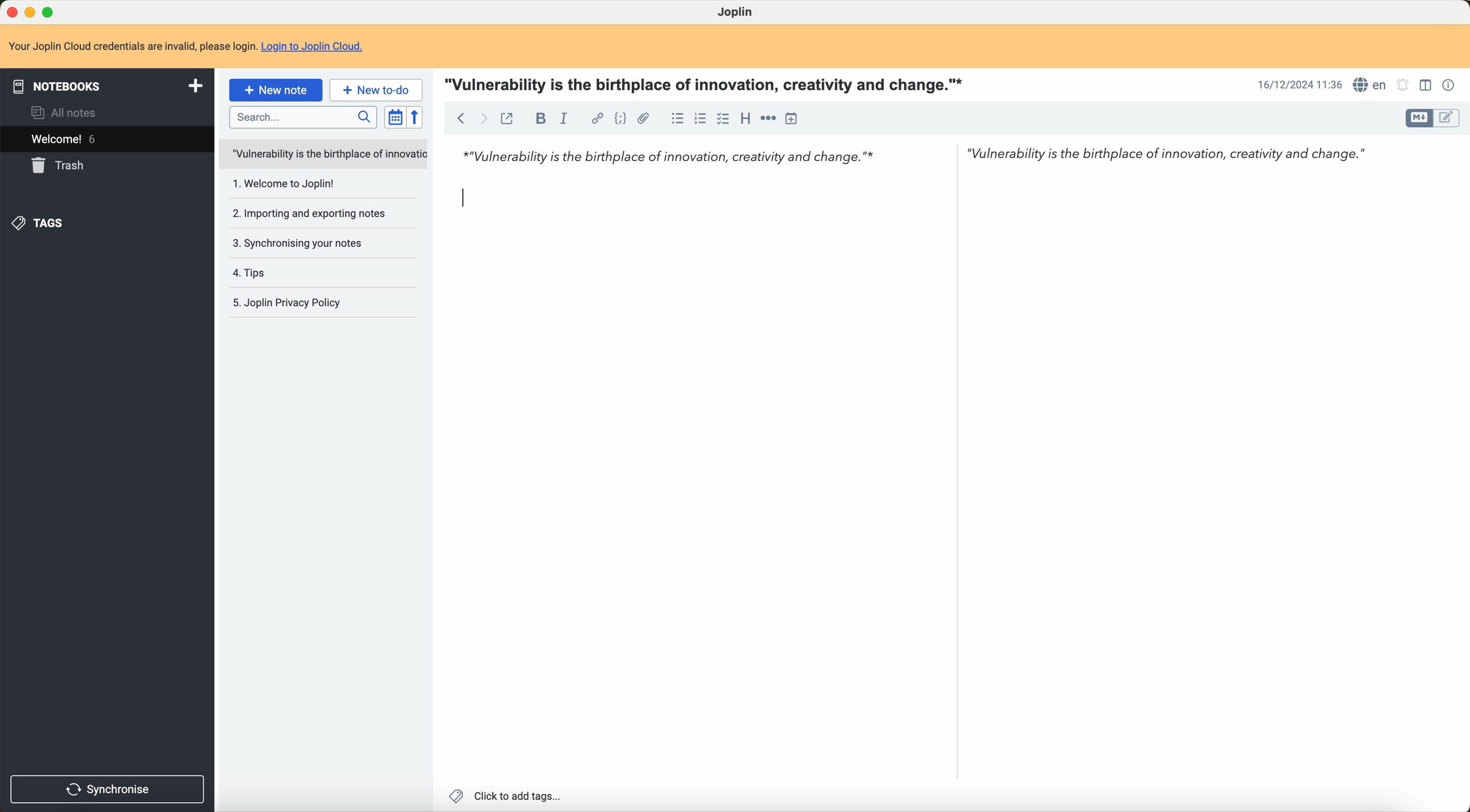 This screenshot has width=1470, height=812. I want to click on hyperlink, so click(595, 117).